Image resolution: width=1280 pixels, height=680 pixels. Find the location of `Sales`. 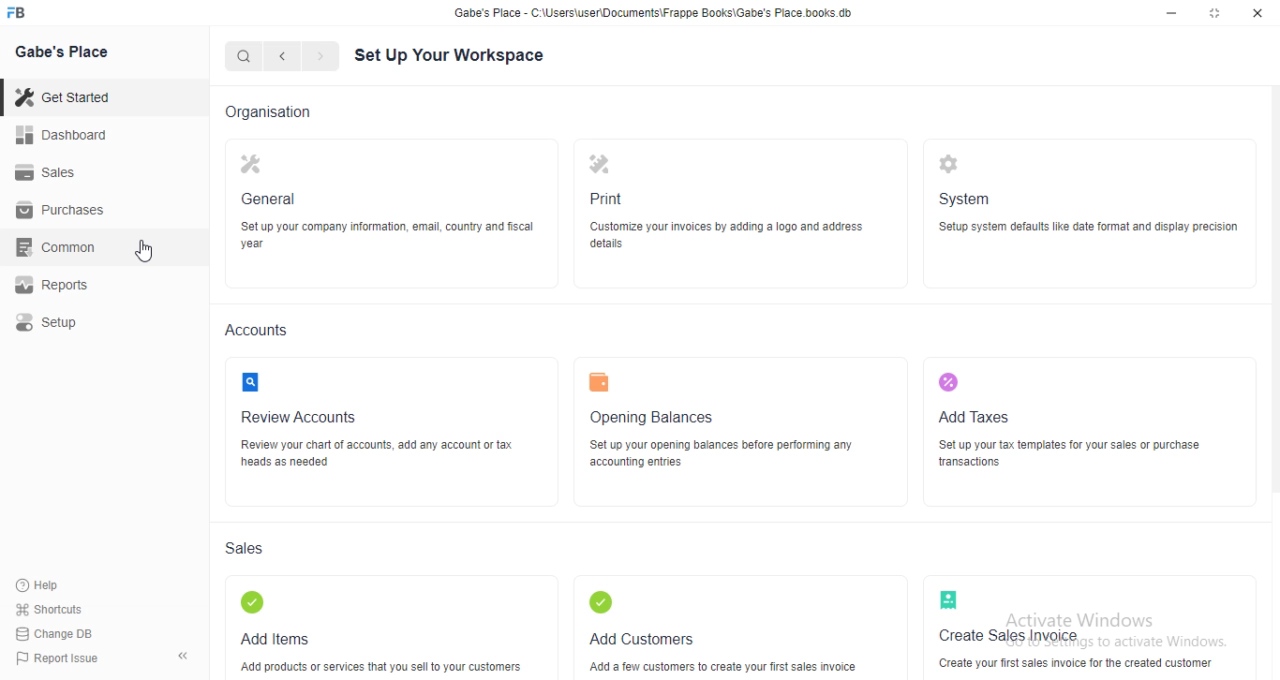

Sales is located at coordinates (246, 549).